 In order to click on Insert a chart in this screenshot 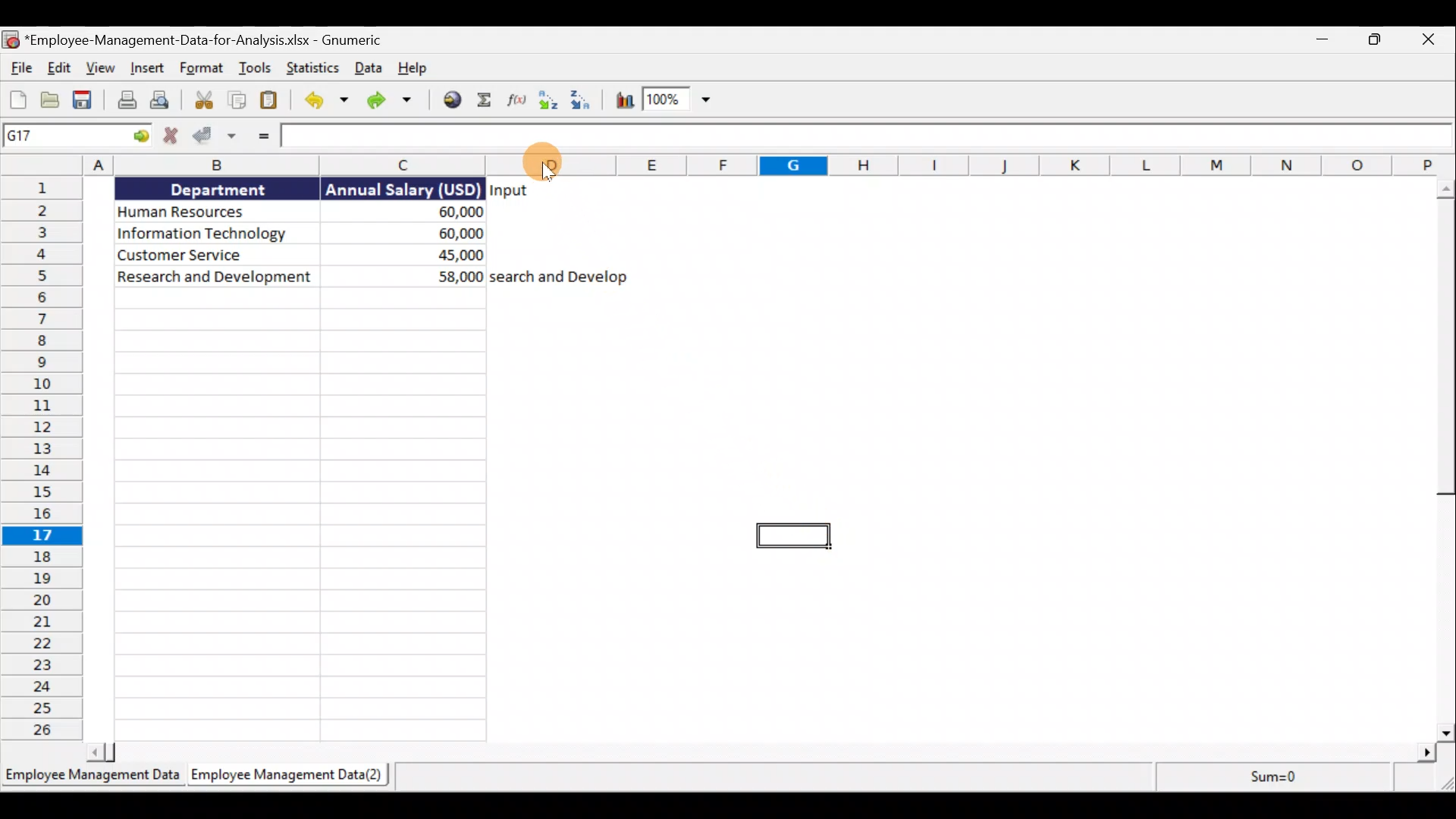, I will do `click(624, 102)`.